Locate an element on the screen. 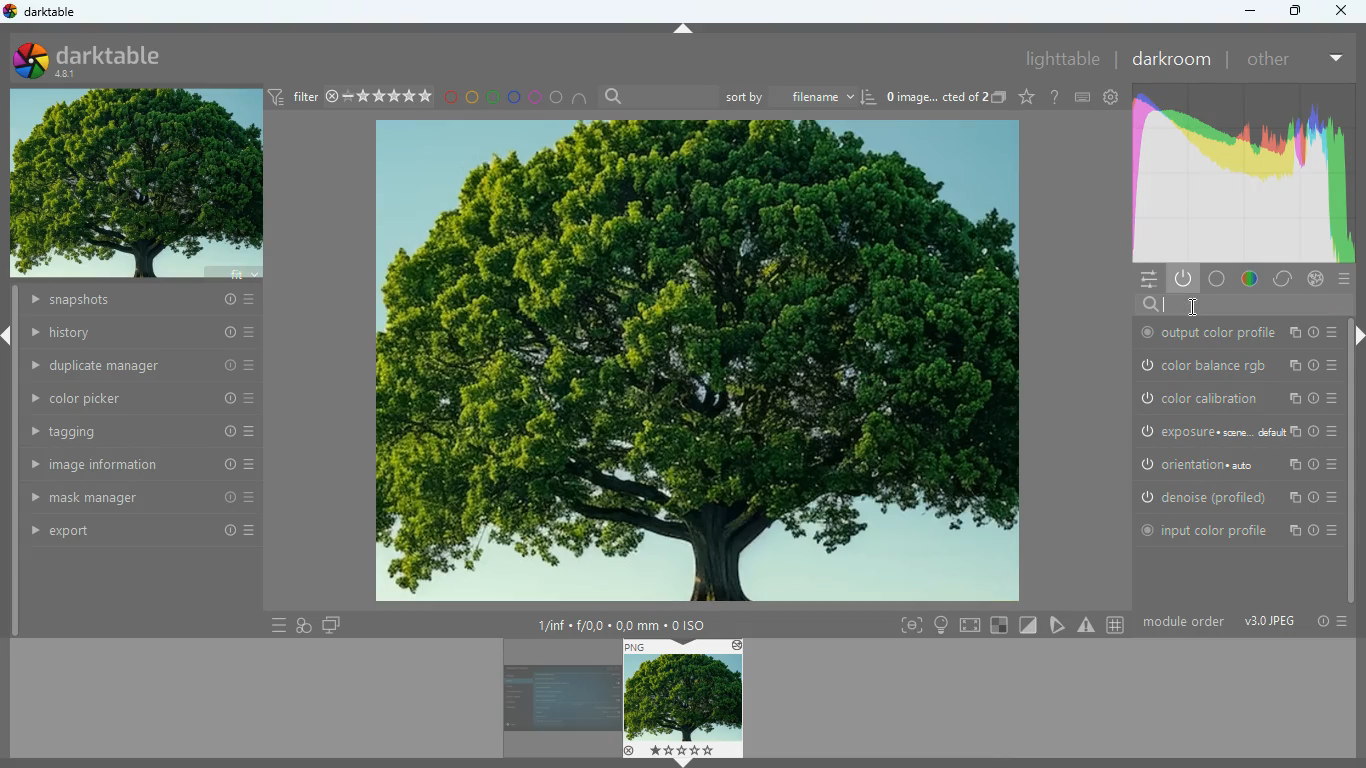 The height and width of the screenshot is (768, 1366). overlap is located at coordinates (306, 626).